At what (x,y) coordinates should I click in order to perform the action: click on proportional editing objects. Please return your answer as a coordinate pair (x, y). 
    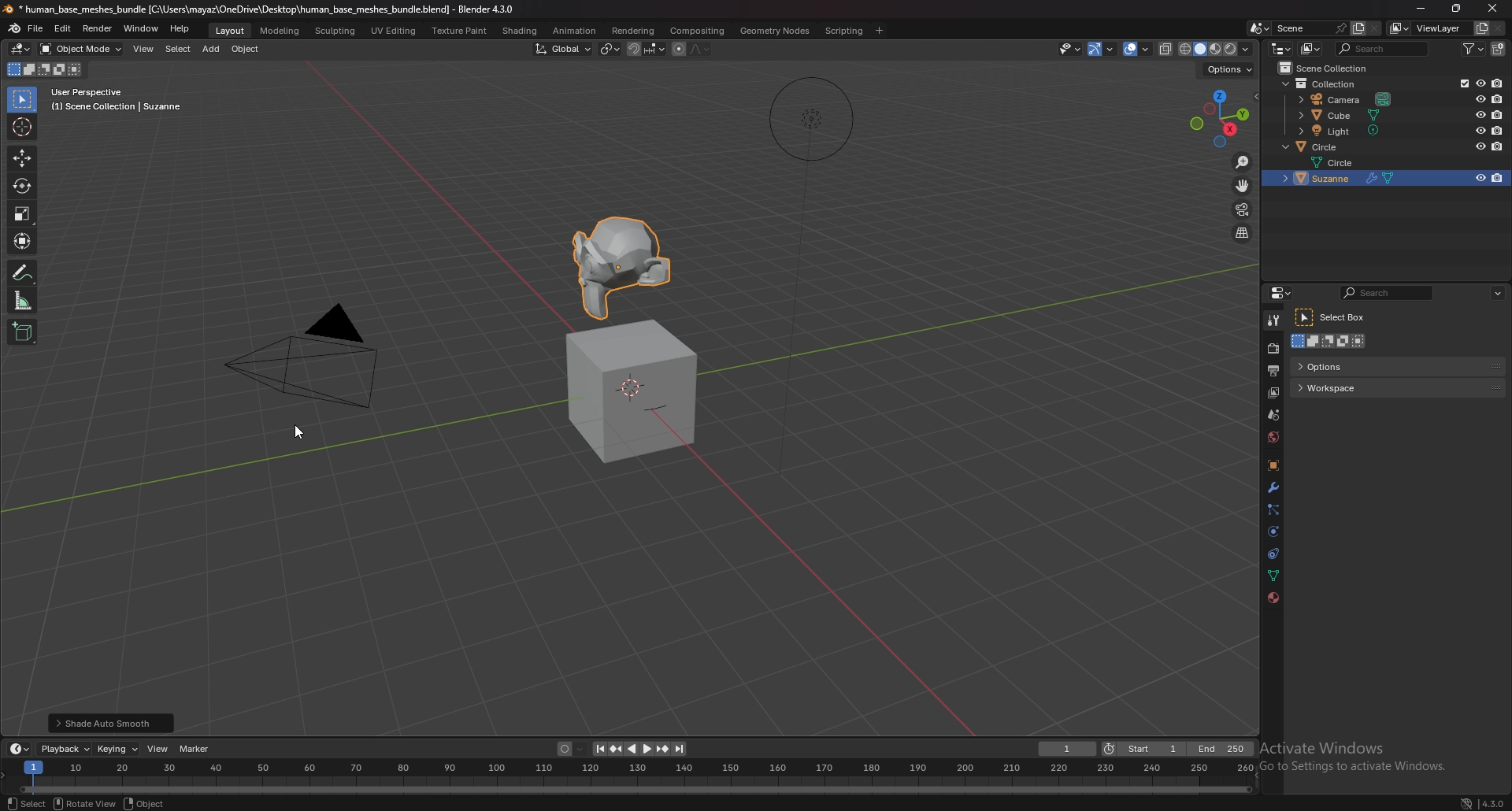
    Looking at the image, I should click on (678, 50).